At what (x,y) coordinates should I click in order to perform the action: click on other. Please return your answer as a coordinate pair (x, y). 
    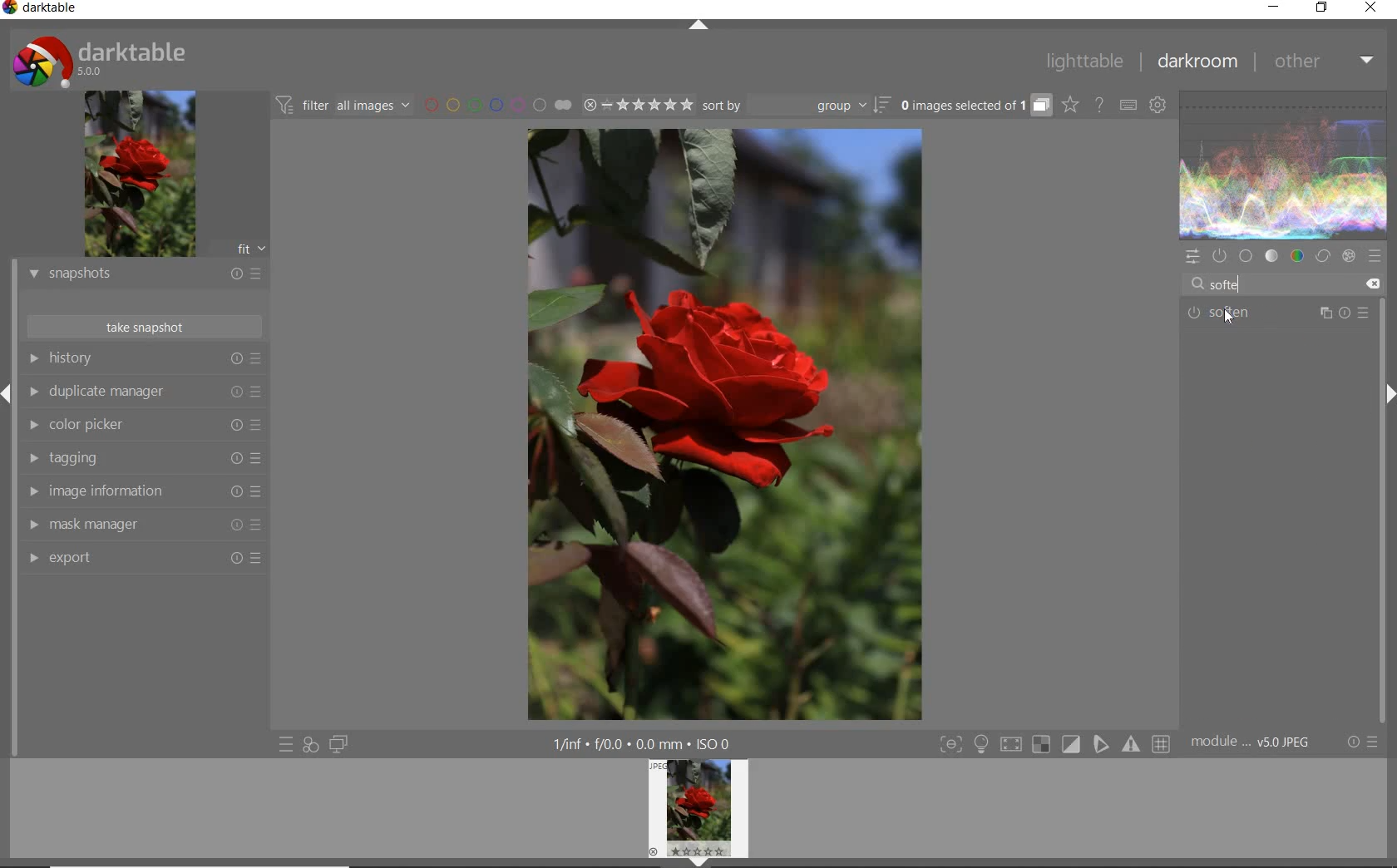
    Looking at the image, I should click on (1322, 63).